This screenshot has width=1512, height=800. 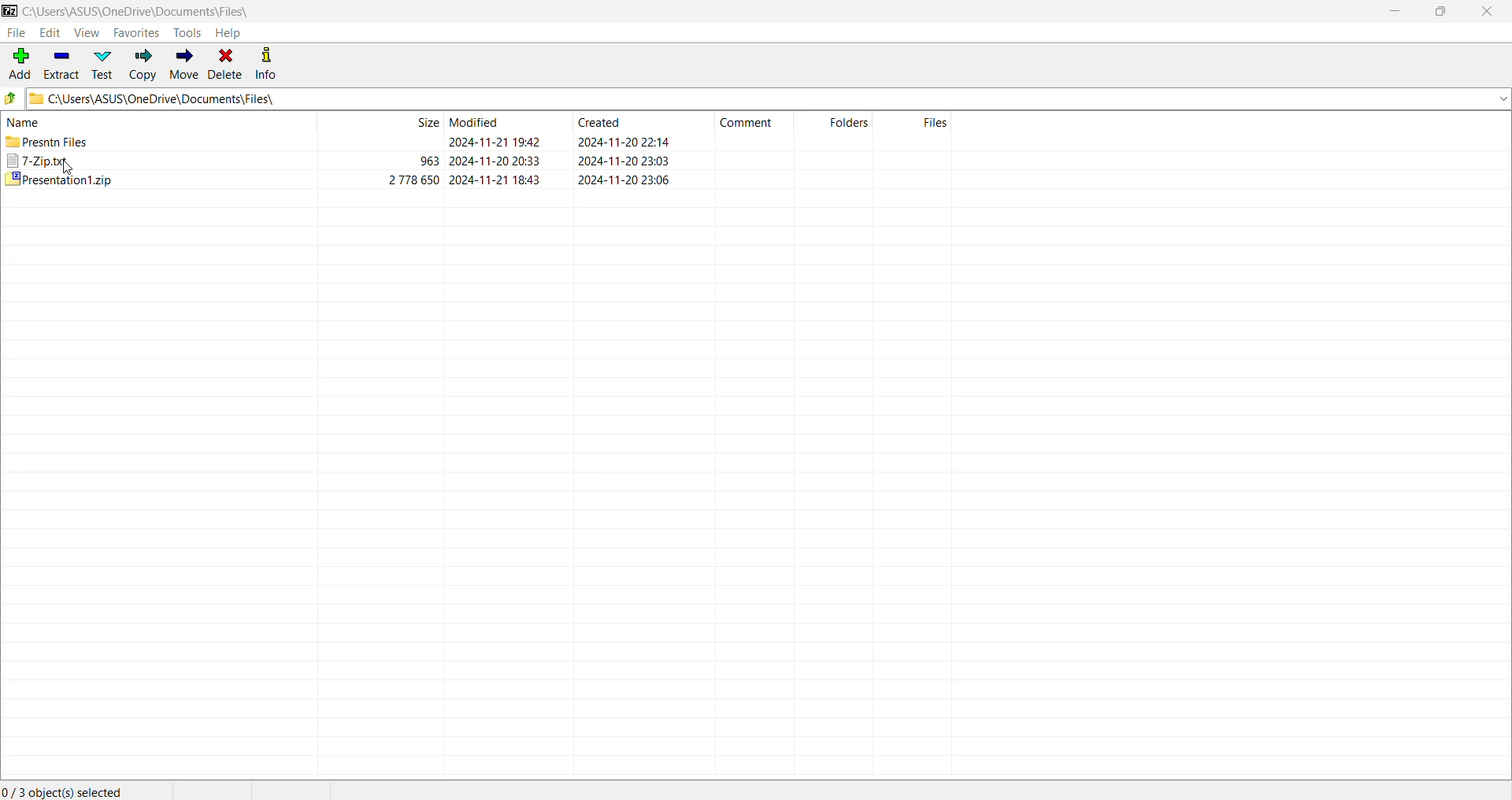 I want to click on created, so click(x=598, y=122).